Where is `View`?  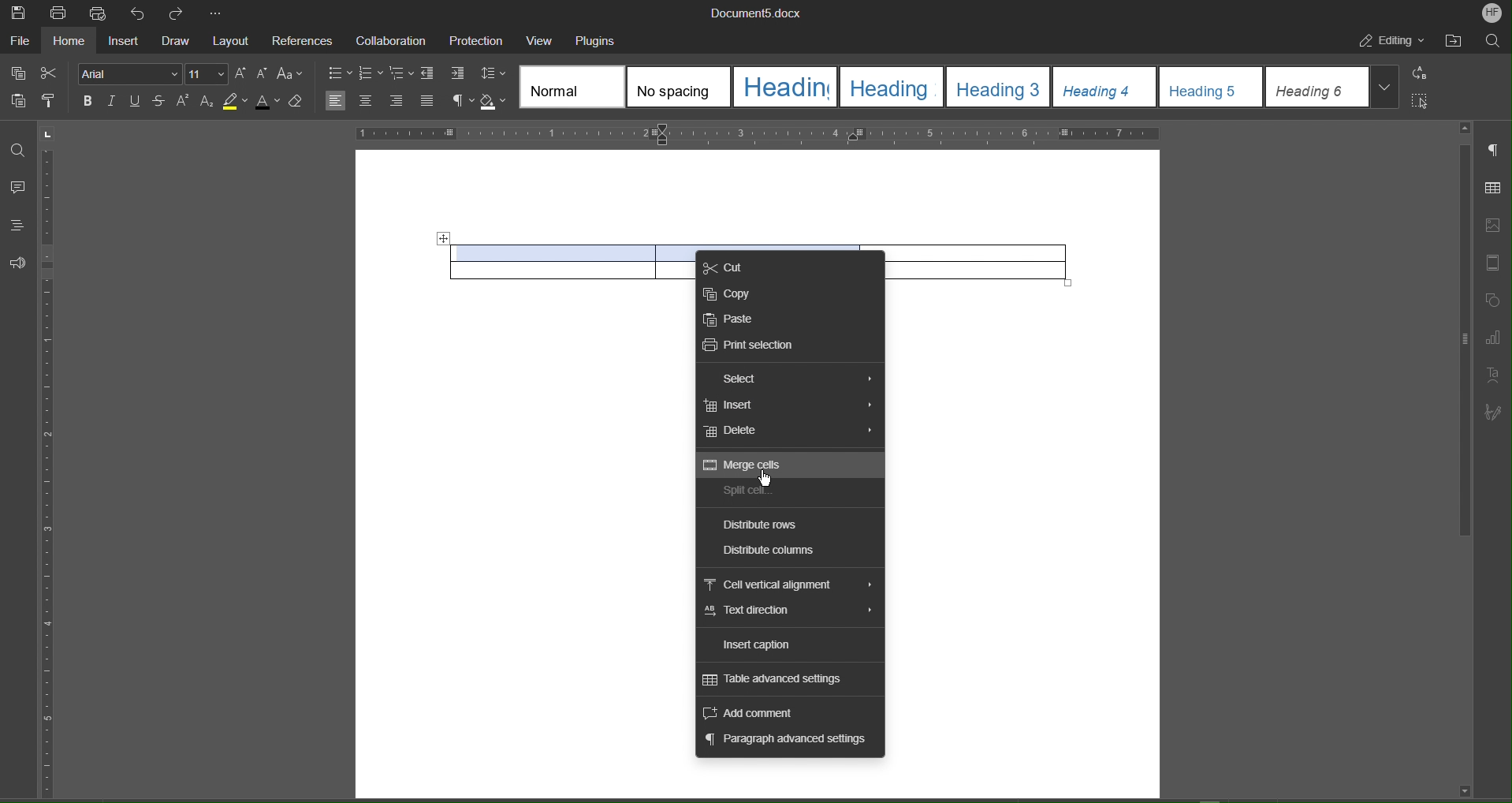
View is located at coordinates (543, 40).